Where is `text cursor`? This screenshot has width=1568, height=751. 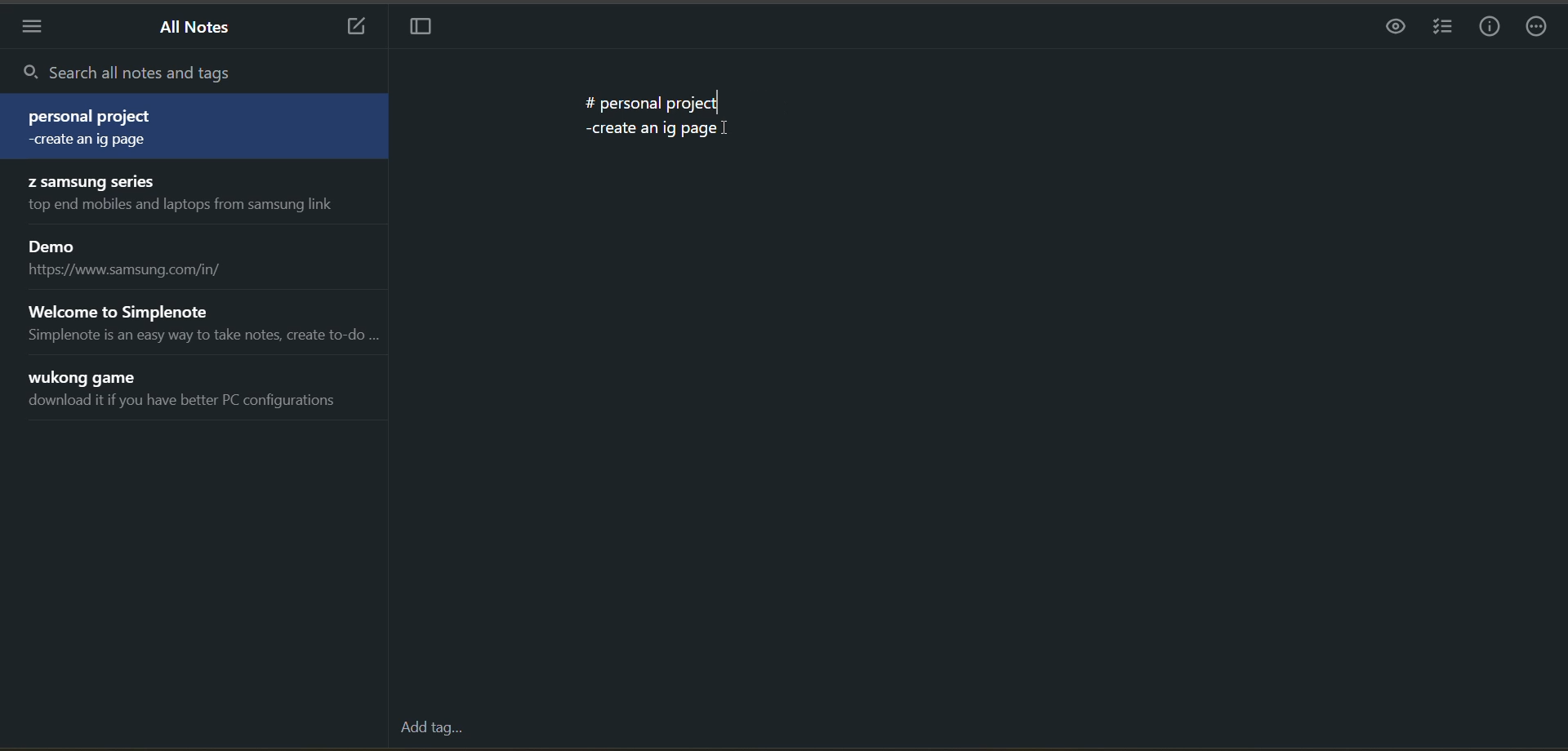
text cursor is located at coordinates (724, 113).